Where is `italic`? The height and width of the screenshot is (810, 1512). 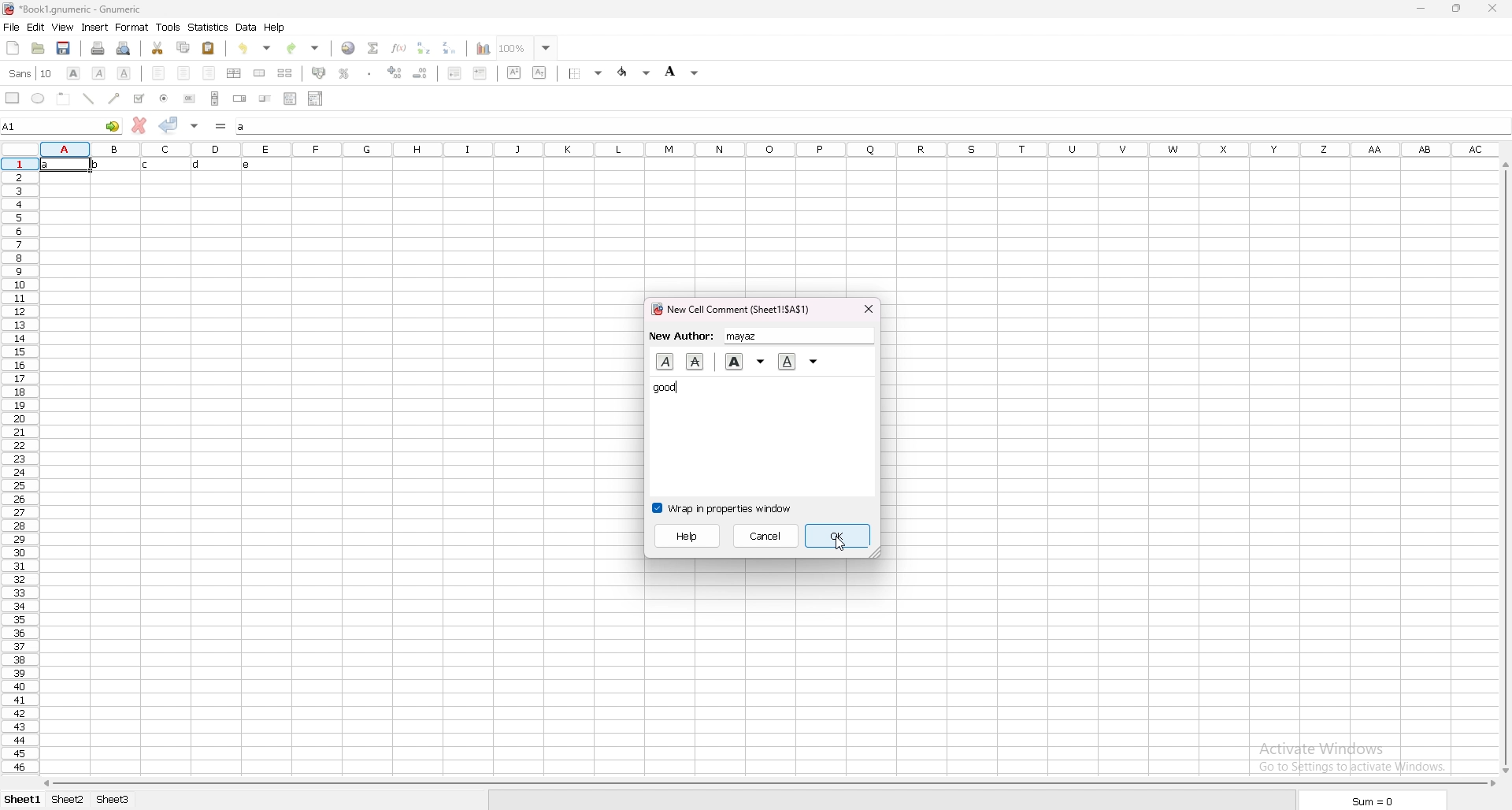
italic is located at coordinates (98, 74).